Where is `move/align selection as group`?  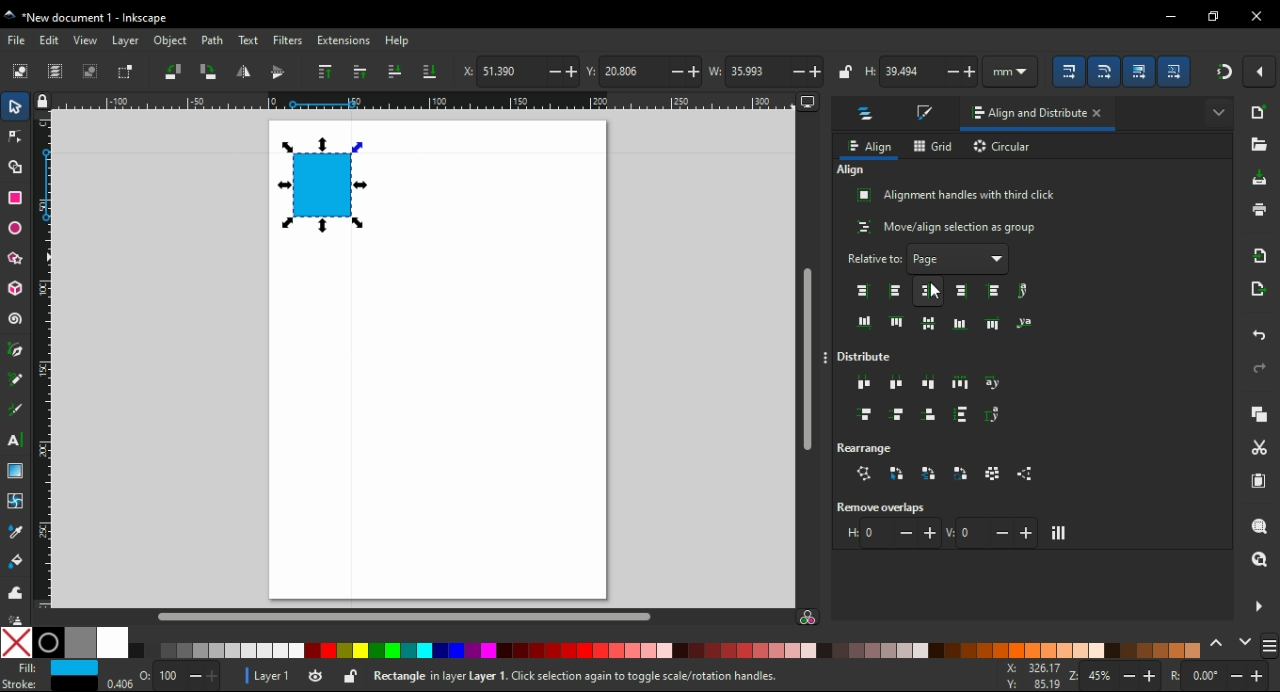 move/align selection as group is located at coordinates (948, 227).